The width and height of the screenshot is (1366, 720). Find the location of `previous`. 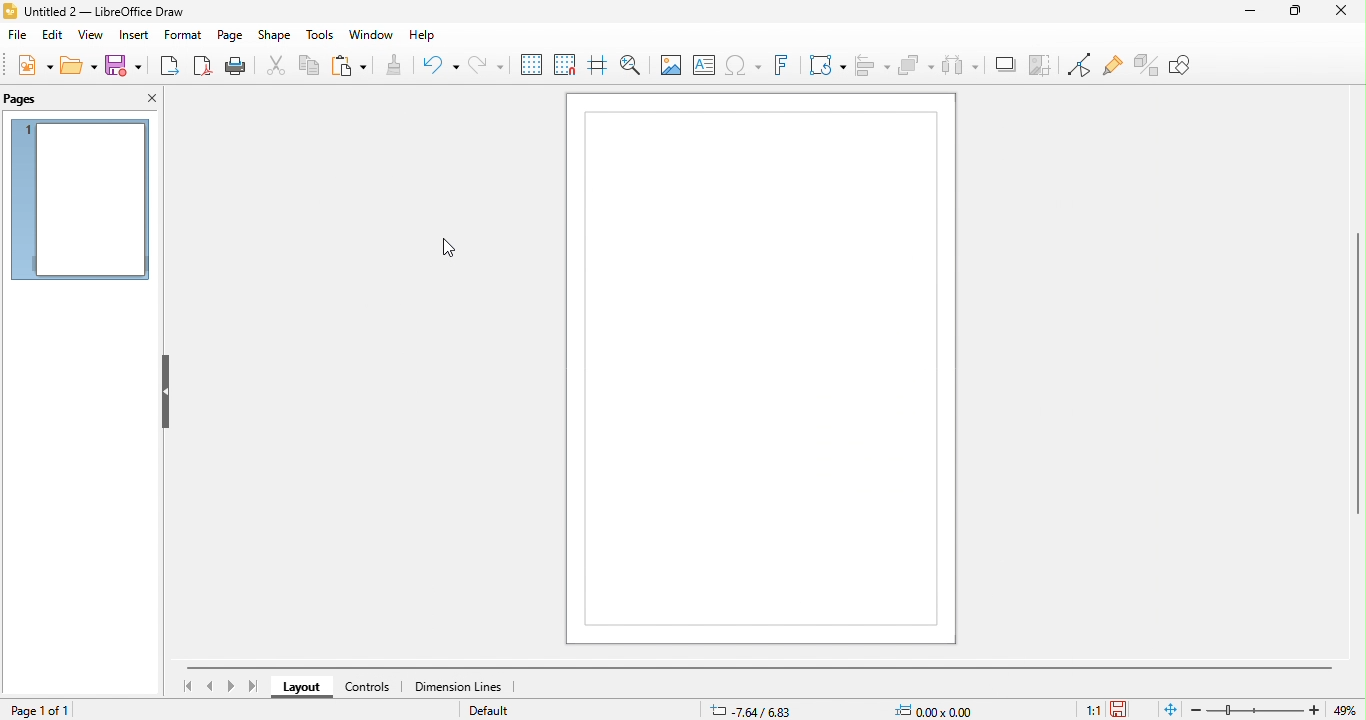

previous is located at coordinates (212, 687).